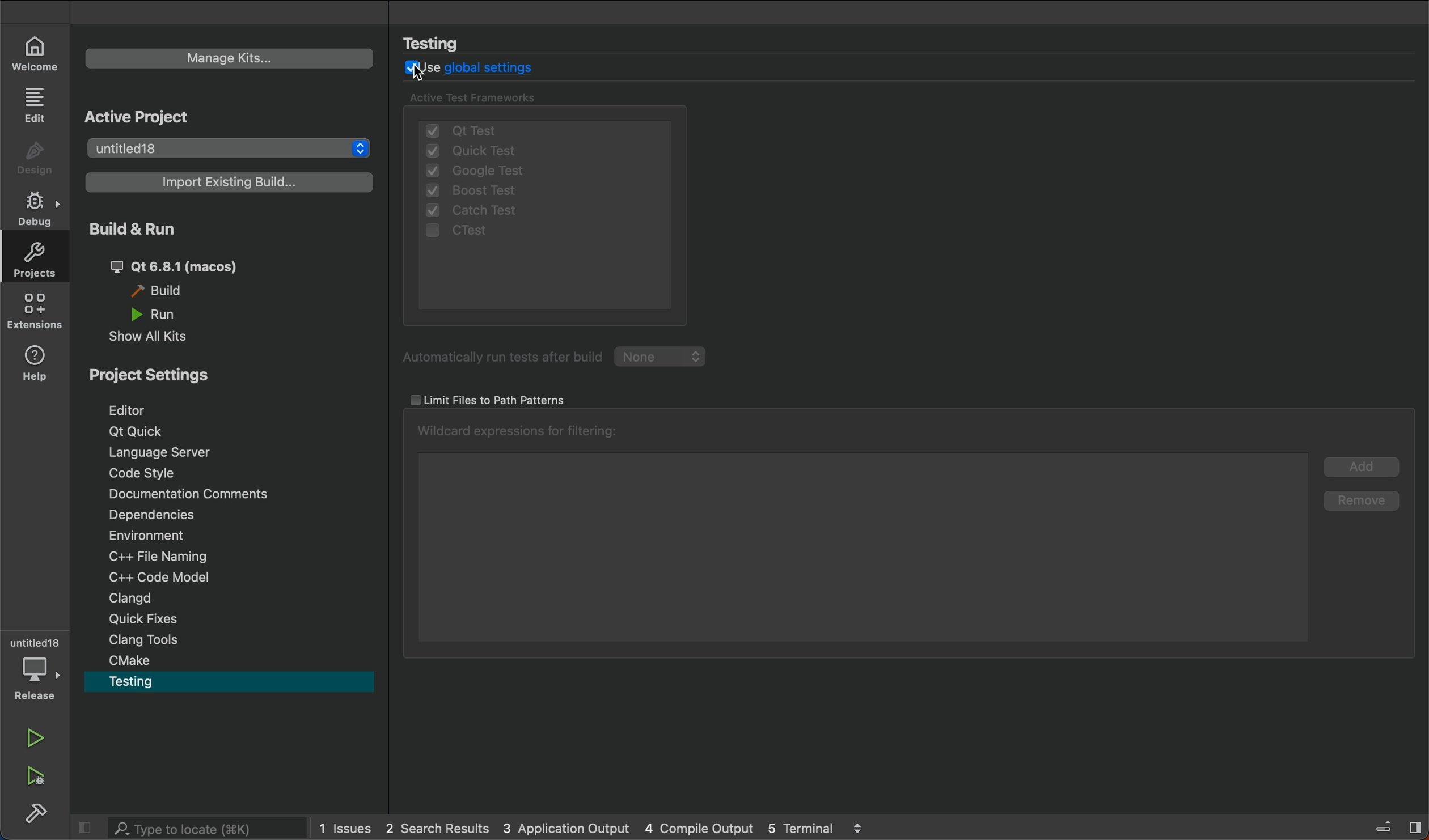 The height and width of the screenshot is (840, 1429). I want to click on active test framework, so click(481, 99).